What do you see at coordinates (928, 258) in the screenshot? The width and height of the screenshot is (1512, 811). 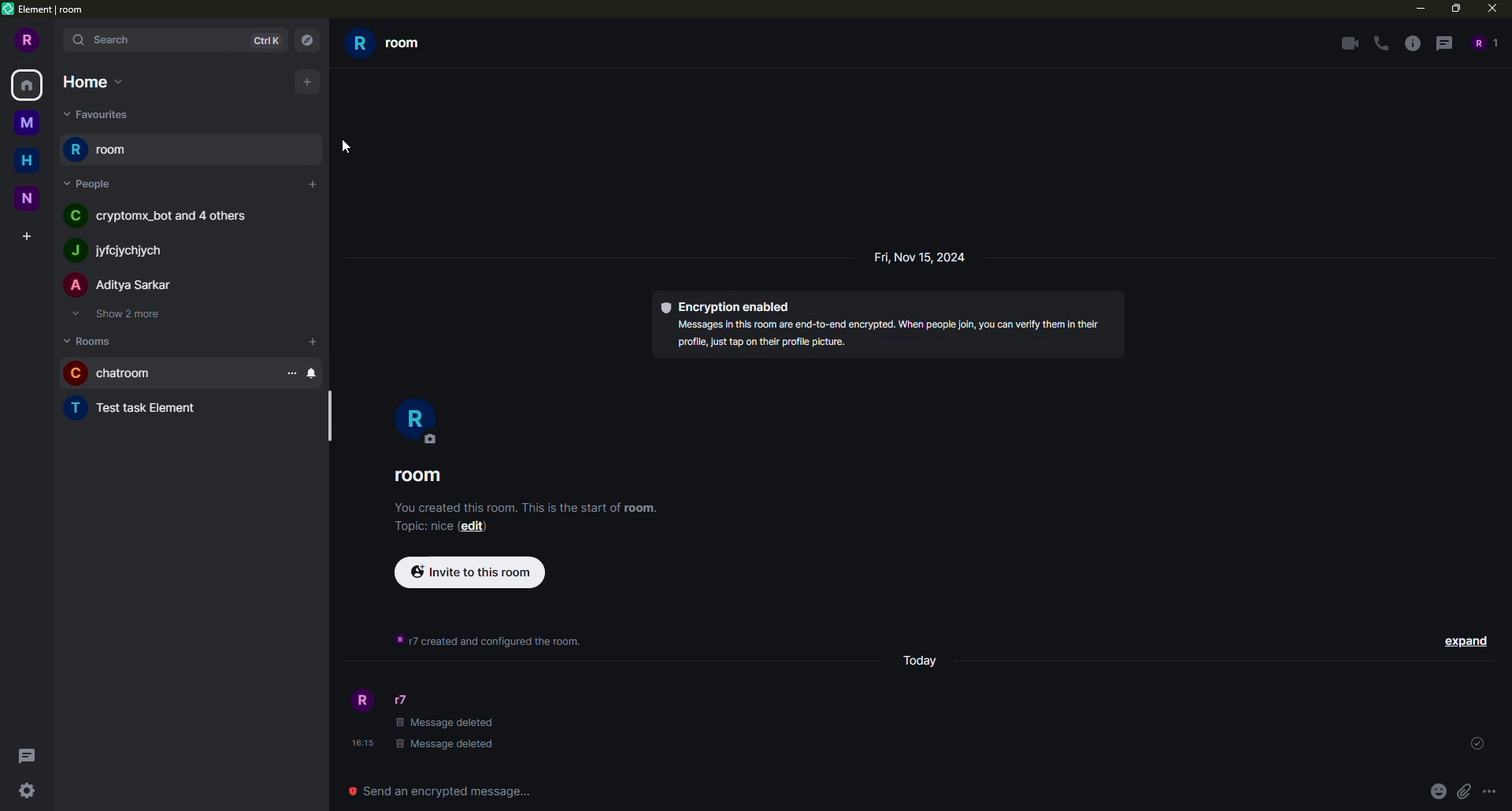 I see `Fri, Nov 15, 2024` at bounding box center [928, 258].